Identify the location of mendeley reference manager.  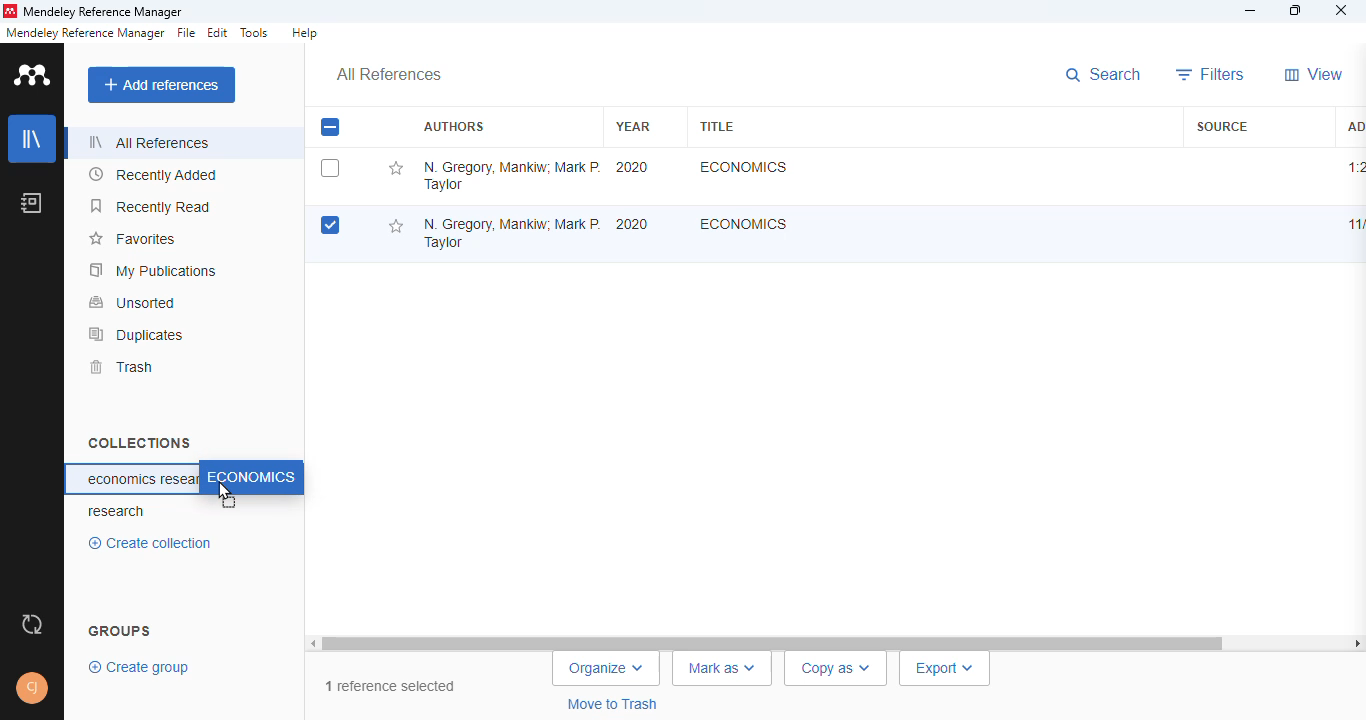
(103, 13).